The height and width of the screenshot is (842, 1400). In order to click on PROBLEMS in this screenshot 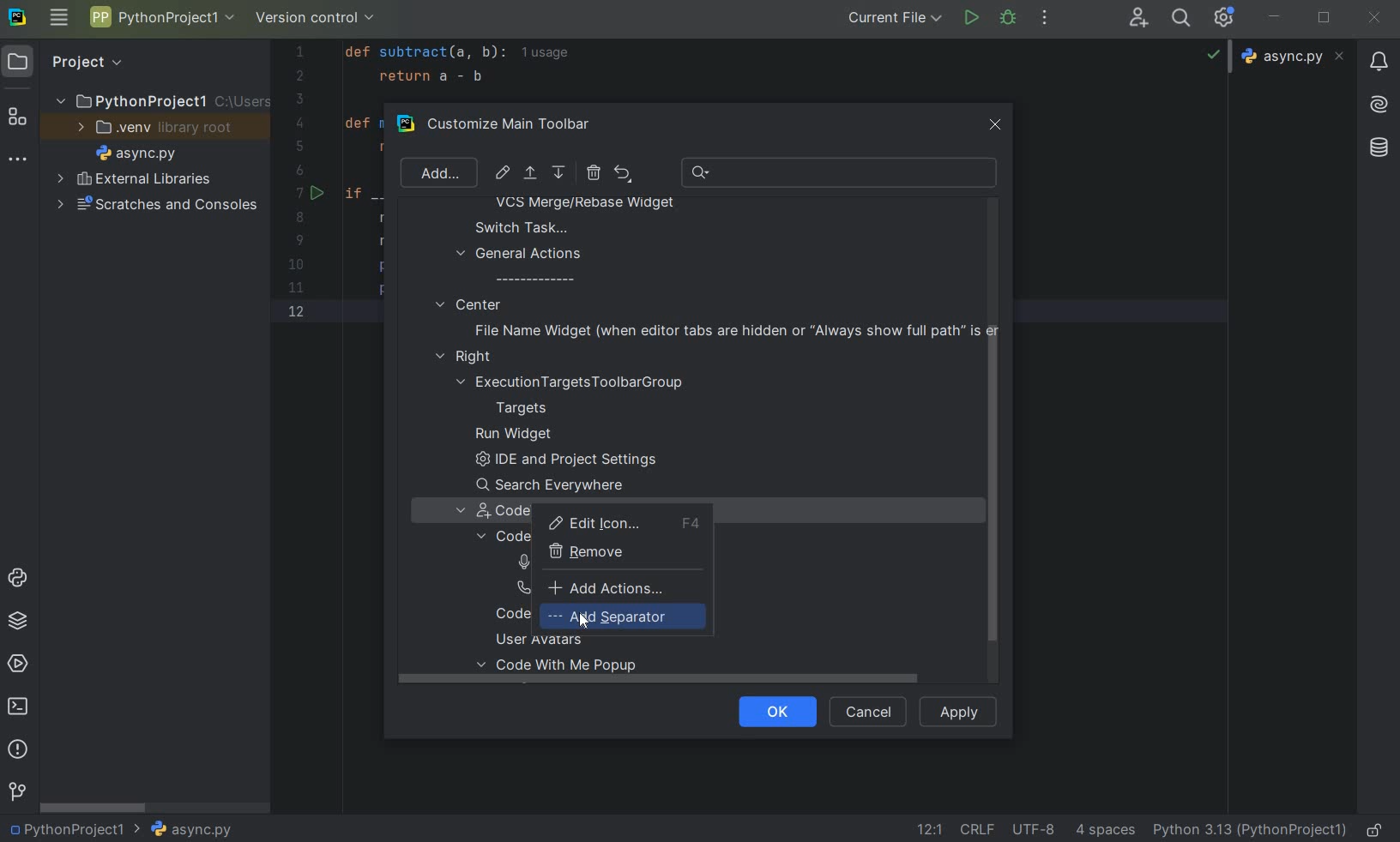, I will do `click(20, 751)`.